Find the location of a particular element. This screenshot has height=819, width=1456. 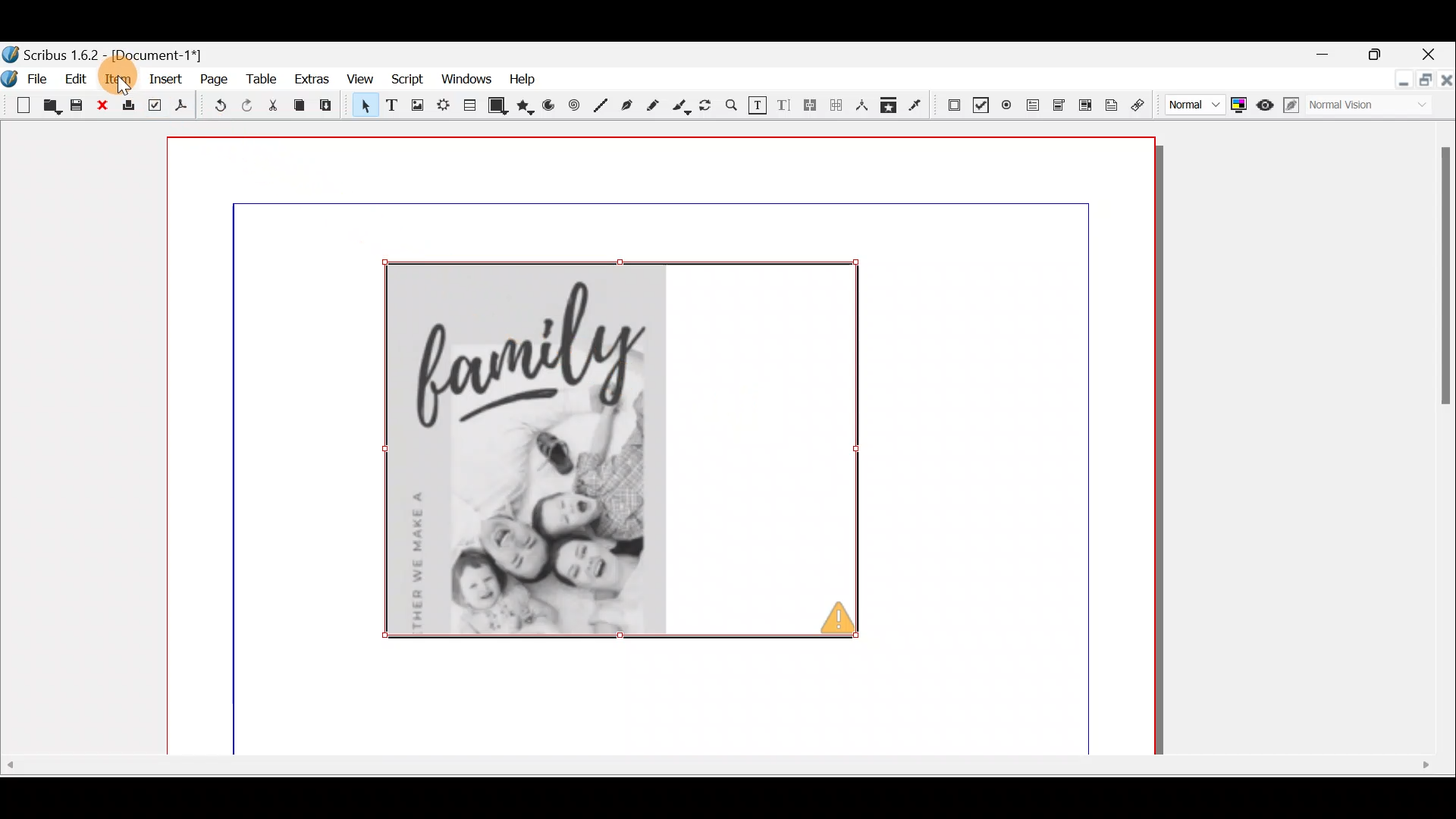

Calligraphic line is located at coordinates (682, 107).